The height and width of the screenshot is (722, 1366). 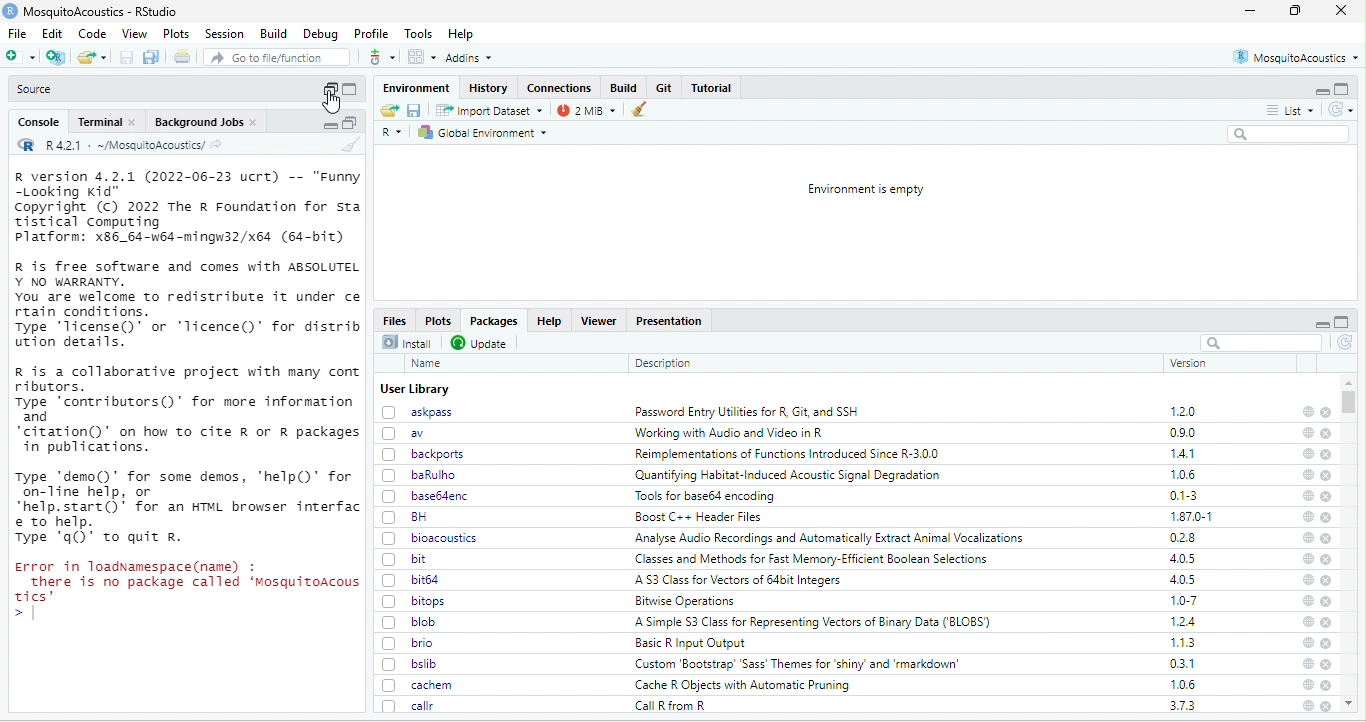 What do you see at coordinates (1327, 434) in the screenshot?
I see `close` at bounding box center [1327, 434].